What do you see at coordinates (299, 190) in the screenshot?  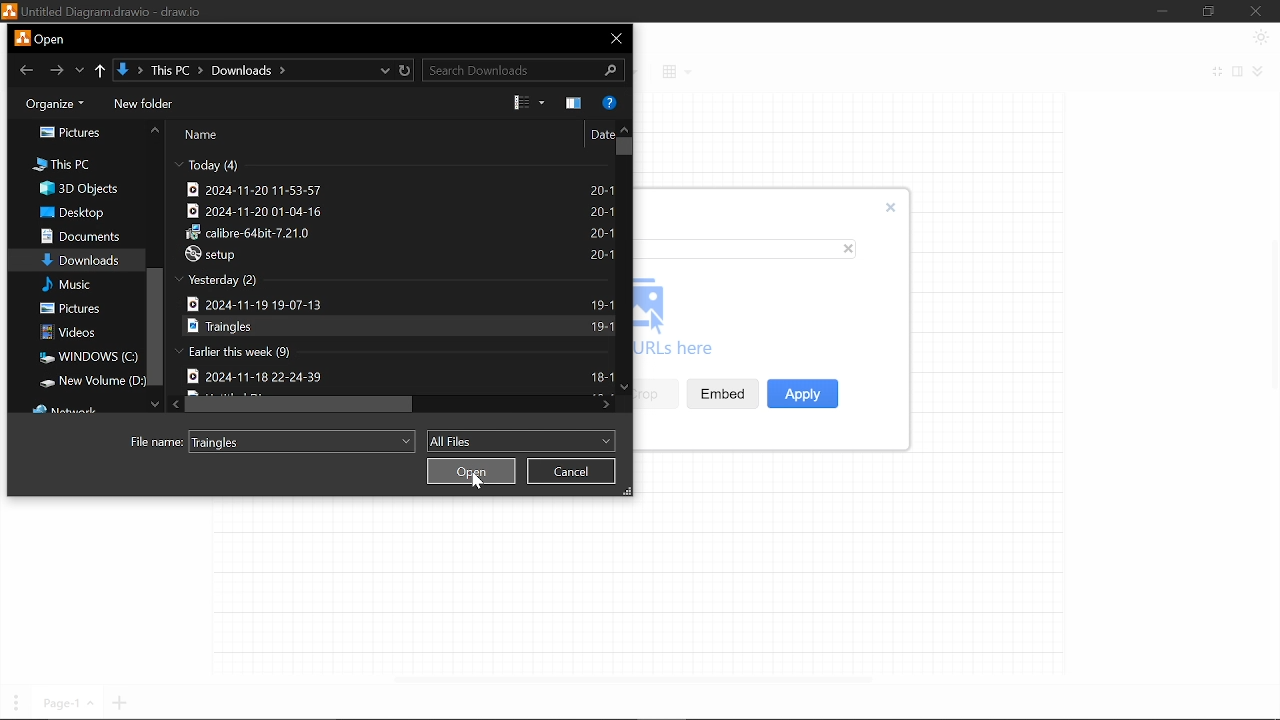 I see `2024-11-20 11-53-57` at bounding box center [299, 190].